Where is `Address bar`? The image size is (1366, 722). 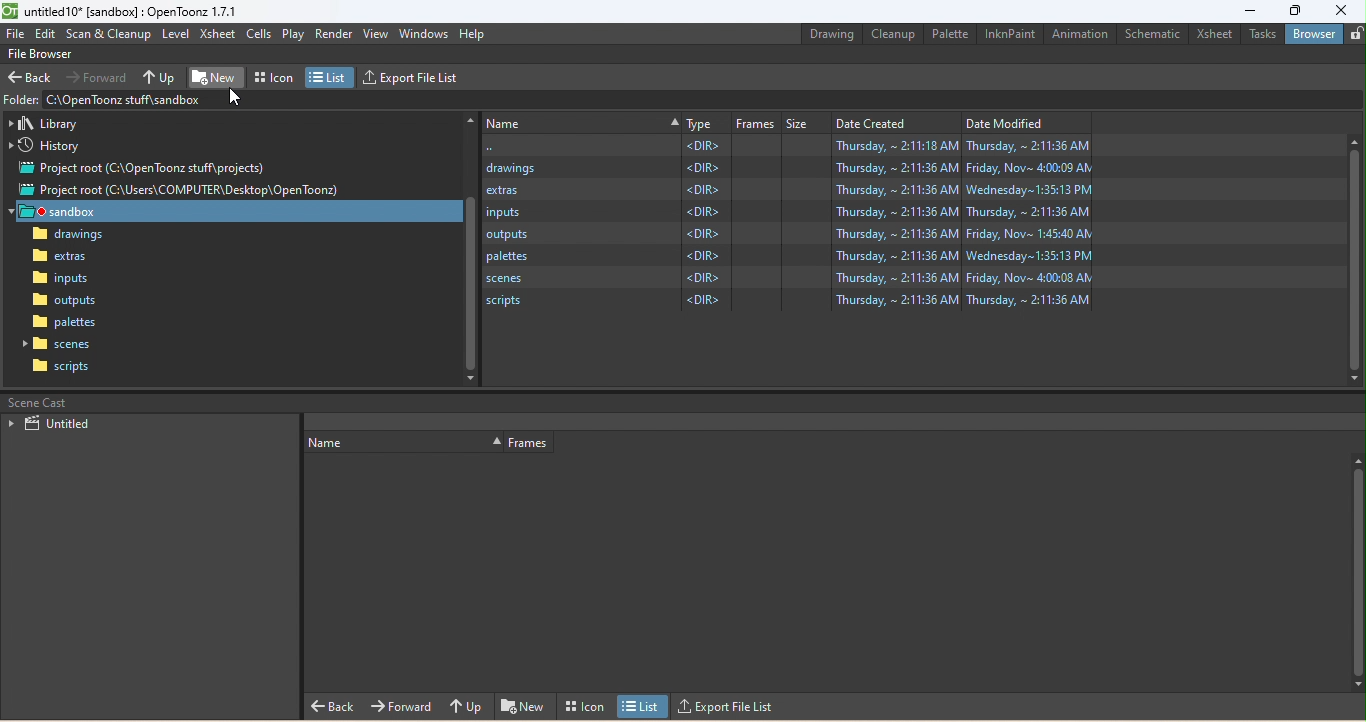
Address bar is located at coordinates (127, 99).